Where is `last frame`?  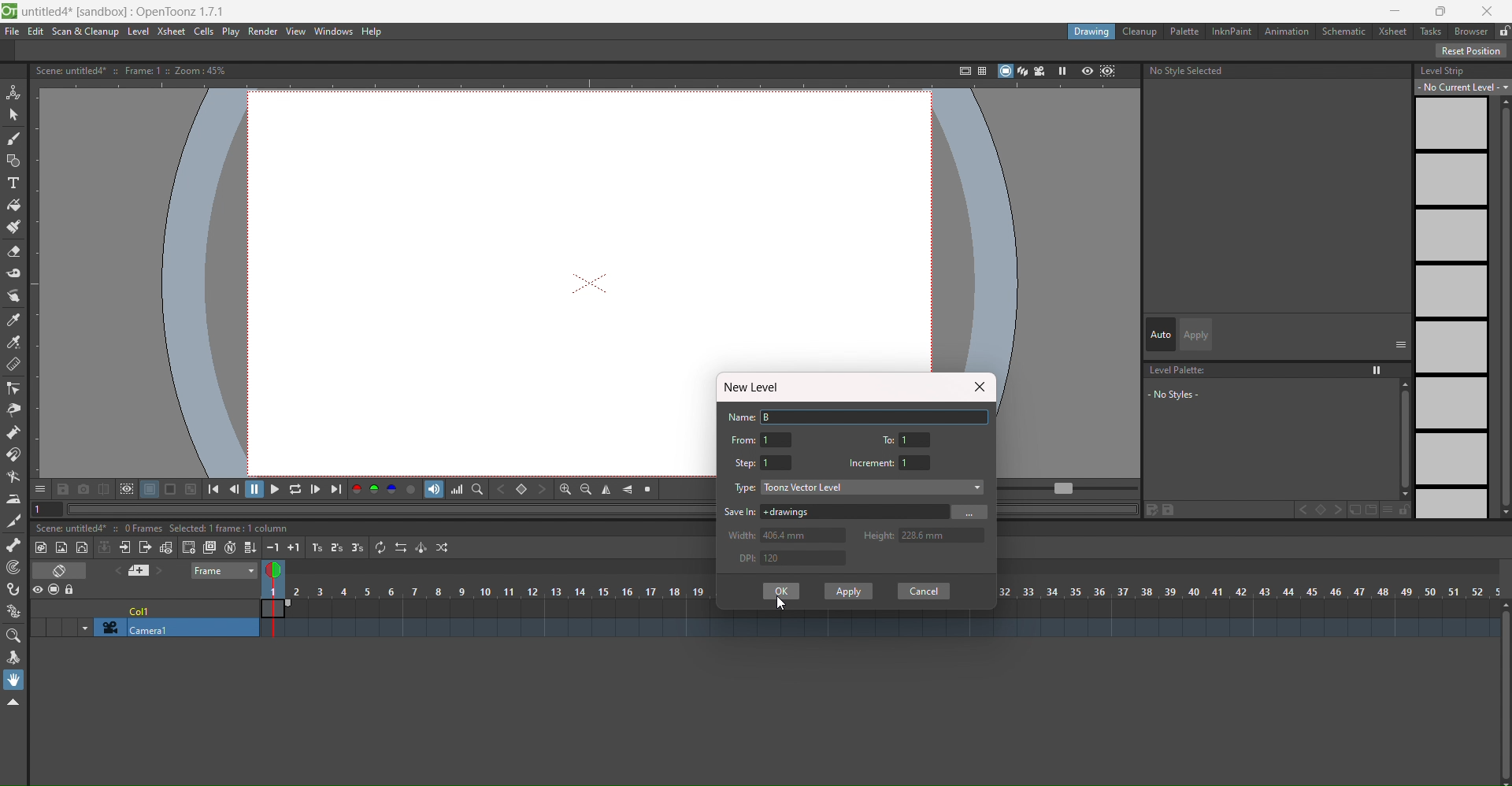
last frame is located at coordinates (336, 489).